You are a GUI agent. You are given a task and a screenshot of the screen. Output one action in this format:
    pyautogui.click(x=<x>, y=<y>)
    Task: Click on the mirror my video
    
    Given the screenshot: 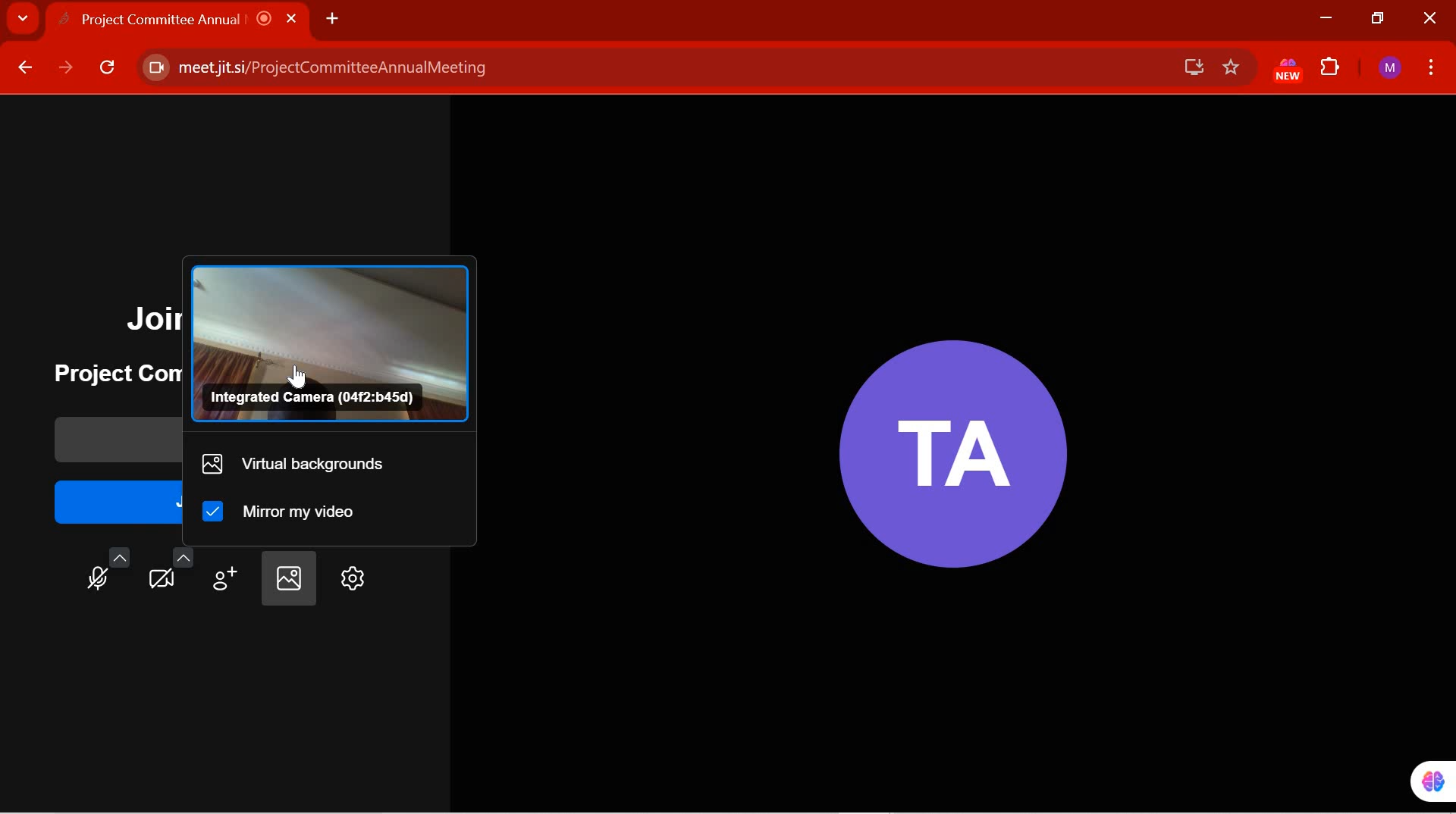 What is the action you would take?
    pyautogui.click(x=306, y=512)
    